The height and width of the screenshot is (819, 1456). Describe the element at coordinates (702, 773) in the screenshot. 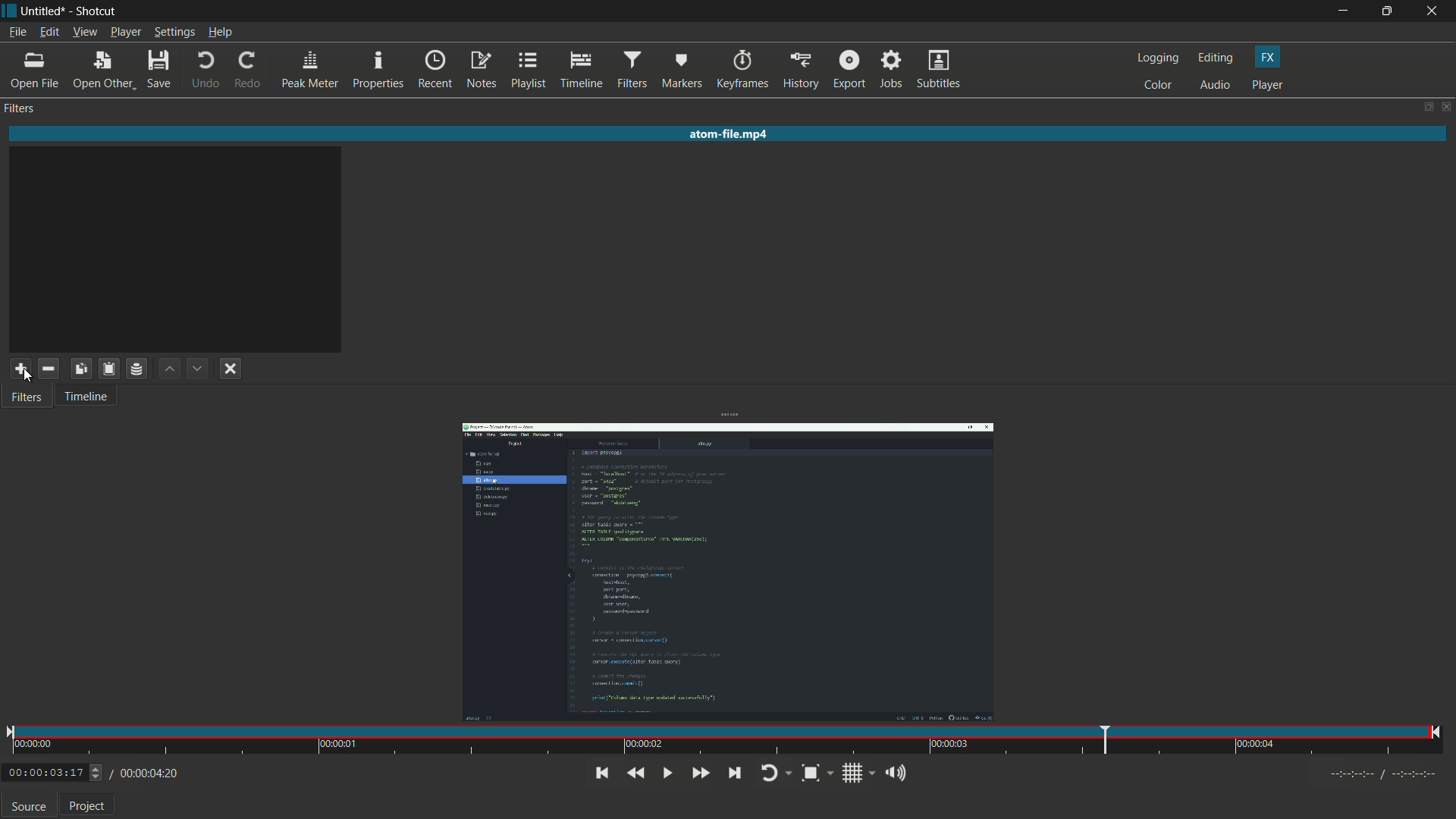

I see `quickly play forward` at that location.